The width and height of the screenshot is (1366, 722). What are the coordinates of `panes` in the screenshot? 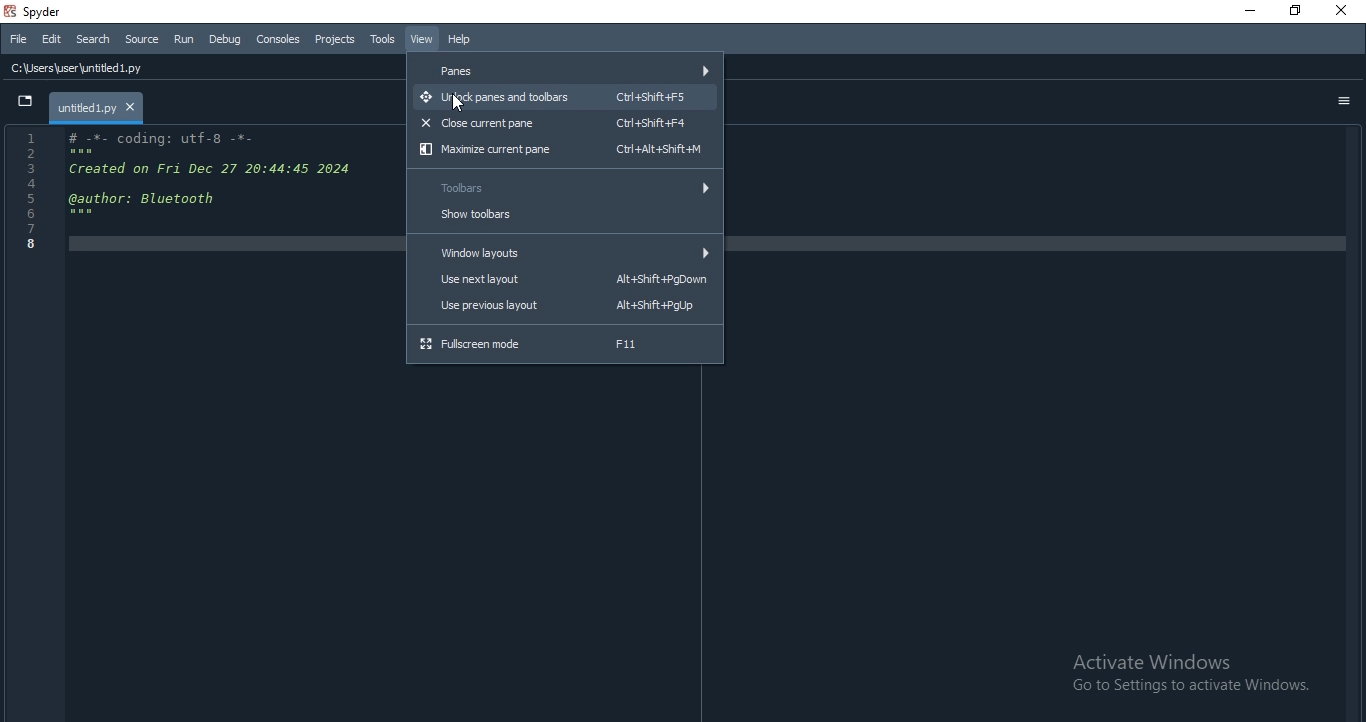 It's located at (566, 69).